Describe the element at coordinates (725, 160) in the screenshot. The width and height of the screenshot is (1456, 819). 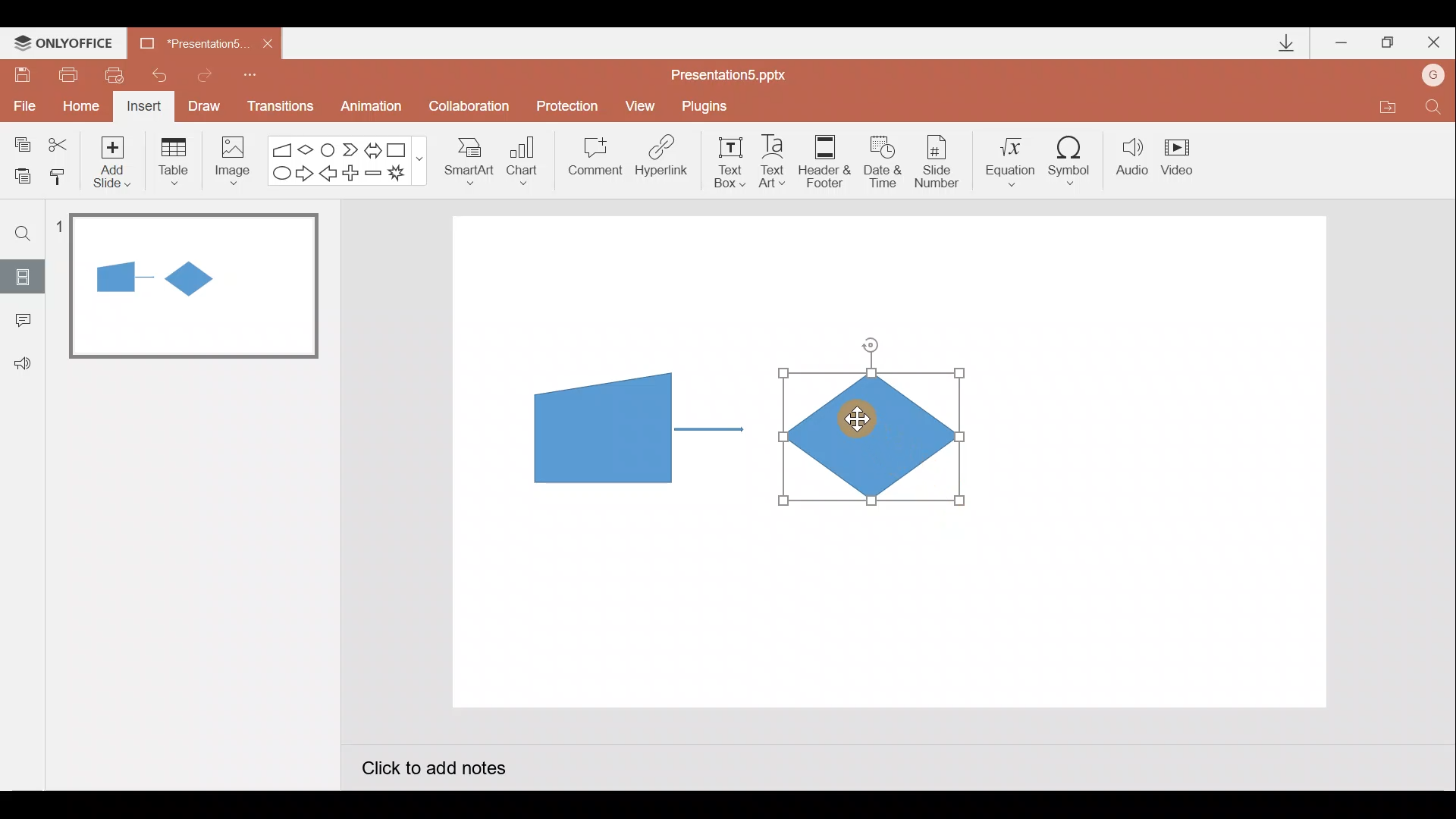
I see `Text box` at that location.